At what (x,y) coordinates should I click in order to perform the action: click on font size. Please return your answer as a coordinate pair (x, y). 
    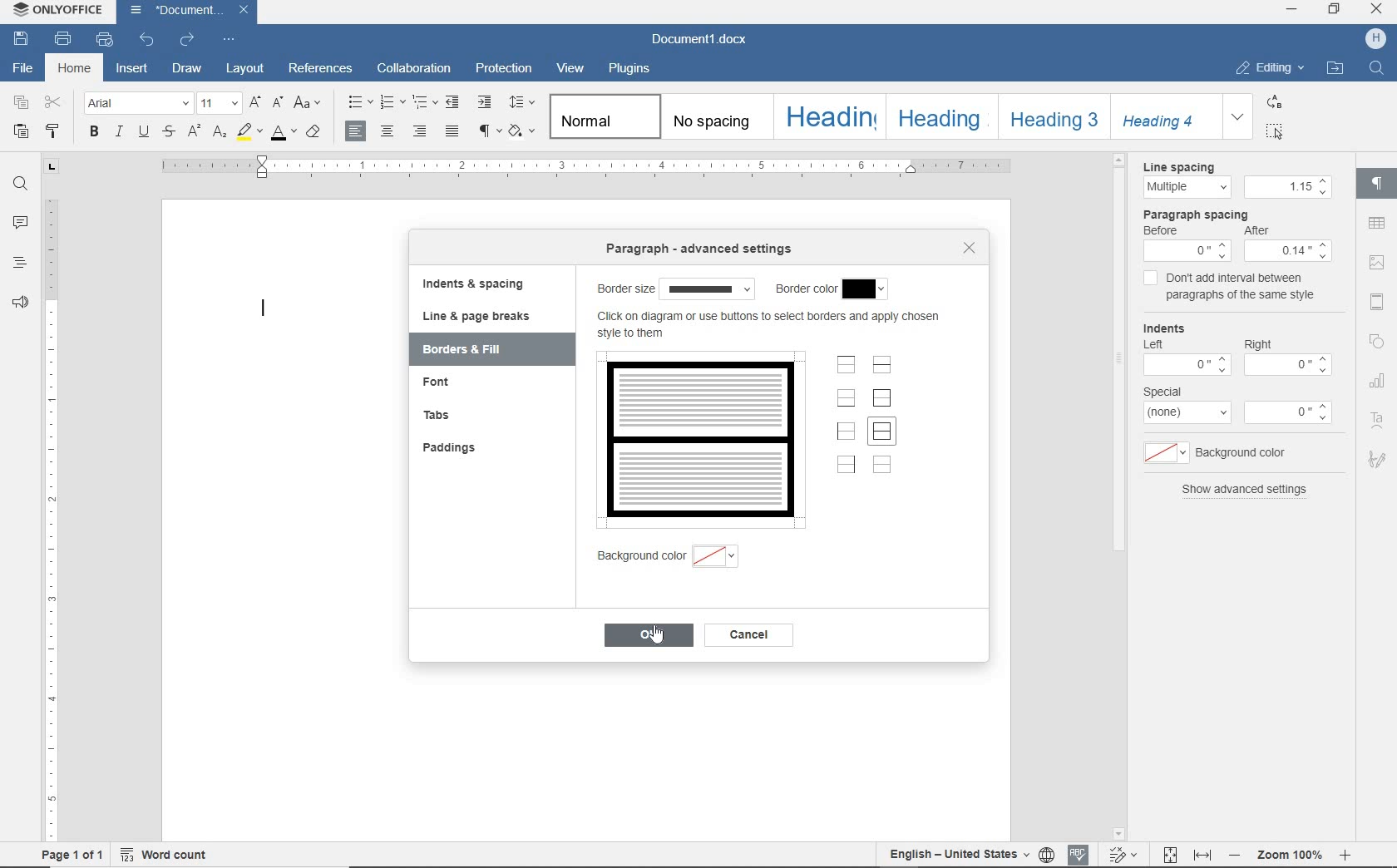
    Looking at the image, I should click on (219, 105).